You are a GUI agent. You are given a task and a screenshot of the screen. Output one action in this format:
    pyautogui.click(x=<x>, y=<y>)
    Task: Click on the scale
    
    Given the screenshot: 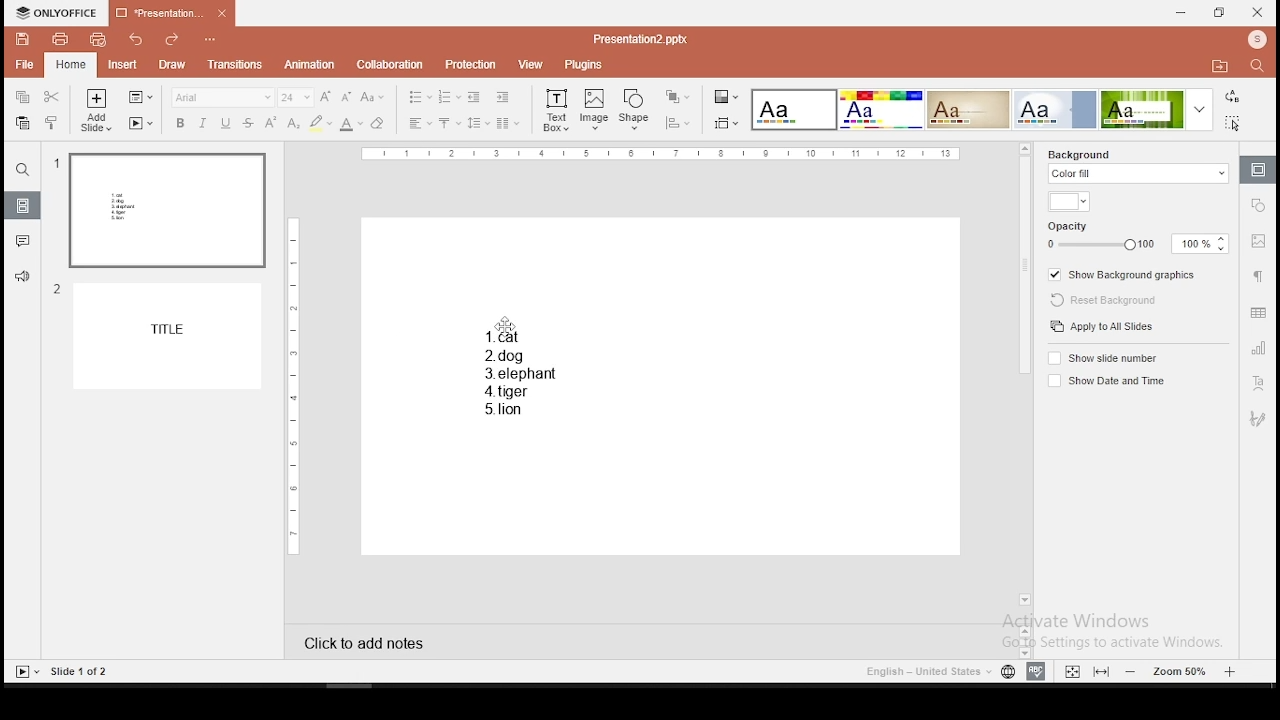 What is the action you would take?
    pyautogui.click(x=291, y=384)
    